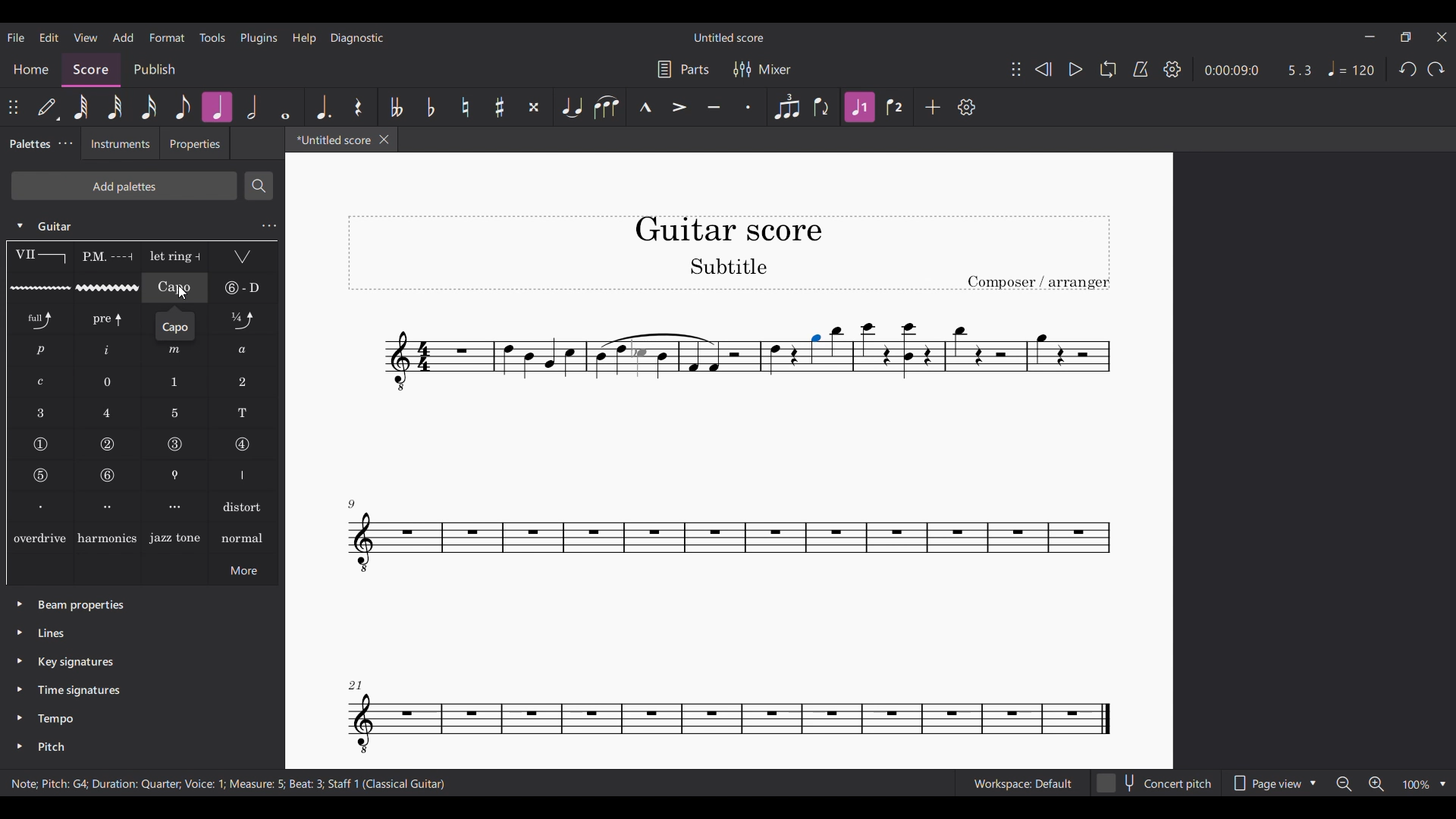 The image size is (1456, 819). Describe the element at coordinates (175, 287) in the screenshot. I see `Capo` at that location.